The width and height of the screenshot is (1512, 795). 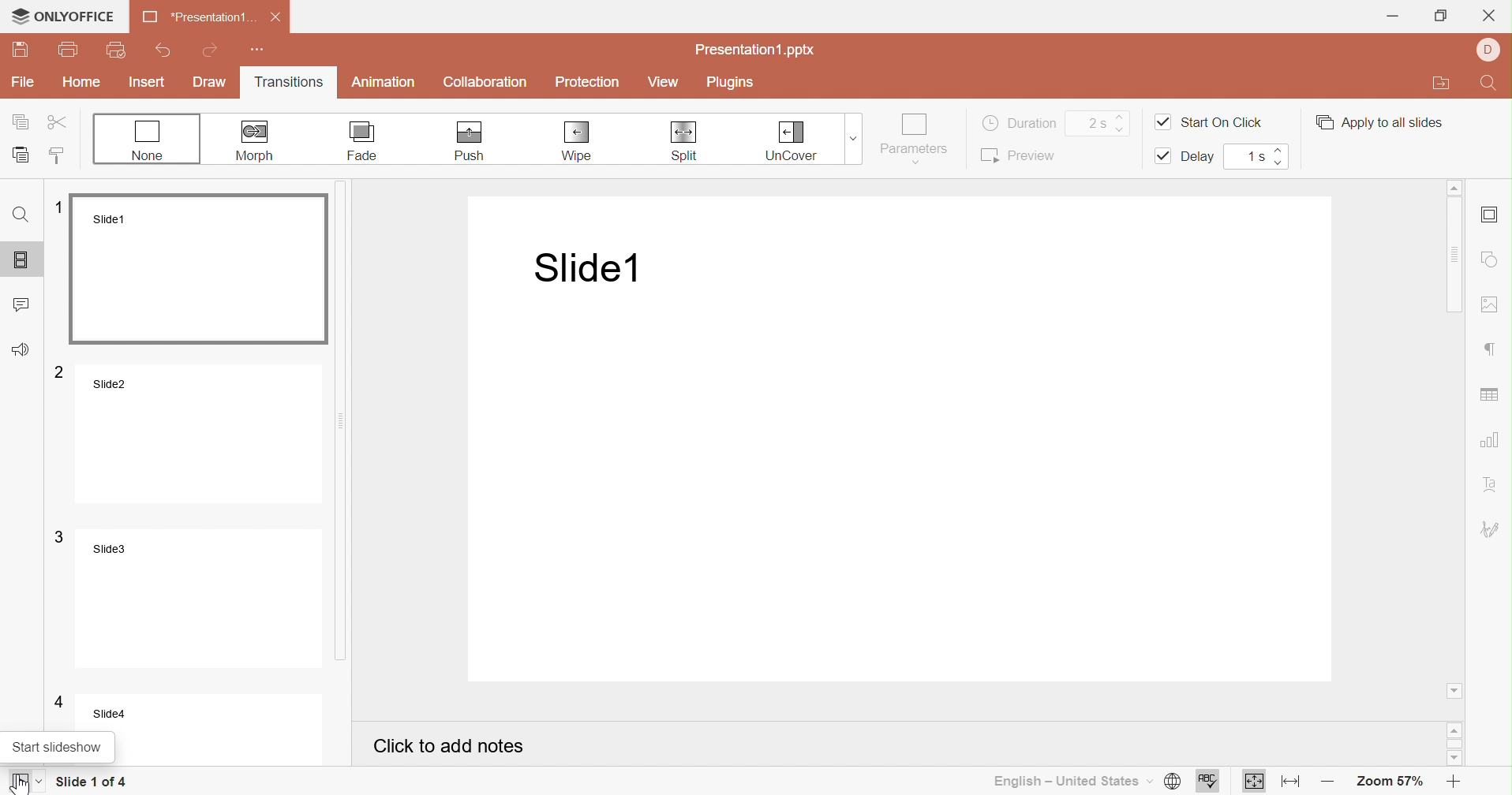 What do you see at coordinates (24, 351) in the screenshot?
I see `Feedback & Support` at bounding box center [24, 351].